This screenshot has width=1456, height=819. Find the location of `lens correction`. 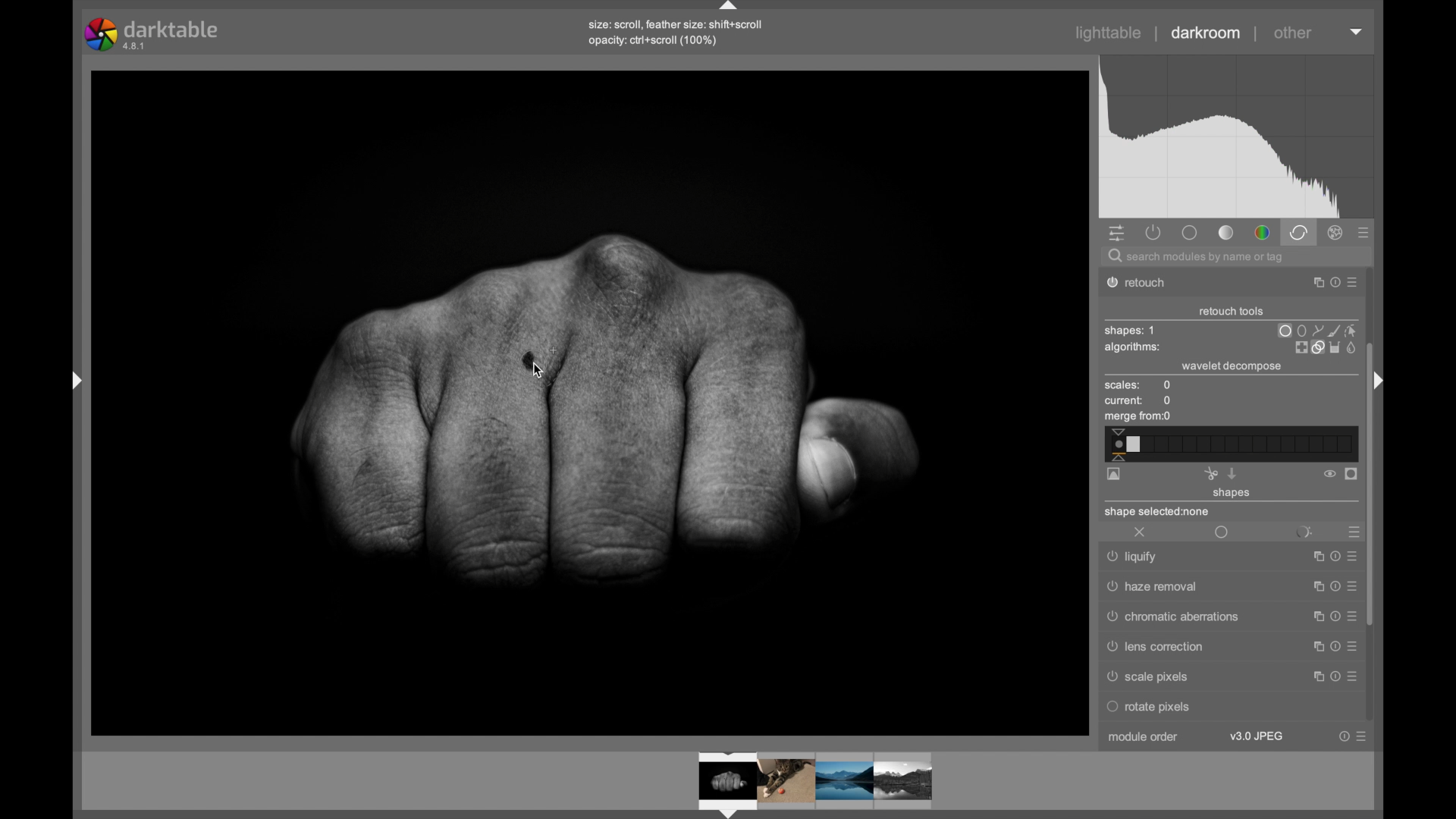

lens correction is located at coordinates (1164, 648).